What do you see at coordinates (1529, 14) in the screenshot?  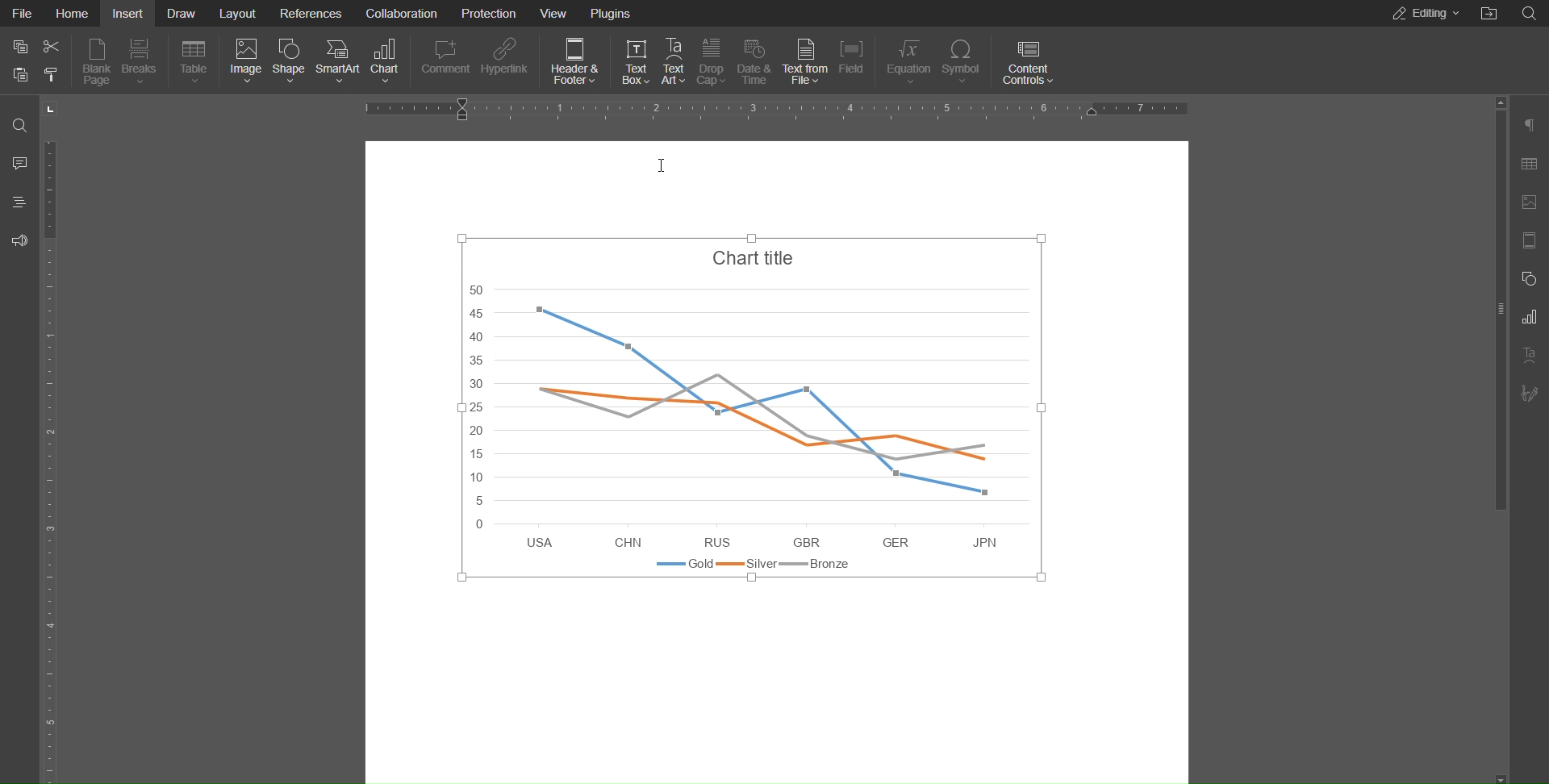 I see `Search` at bounding box center [1529, 14].